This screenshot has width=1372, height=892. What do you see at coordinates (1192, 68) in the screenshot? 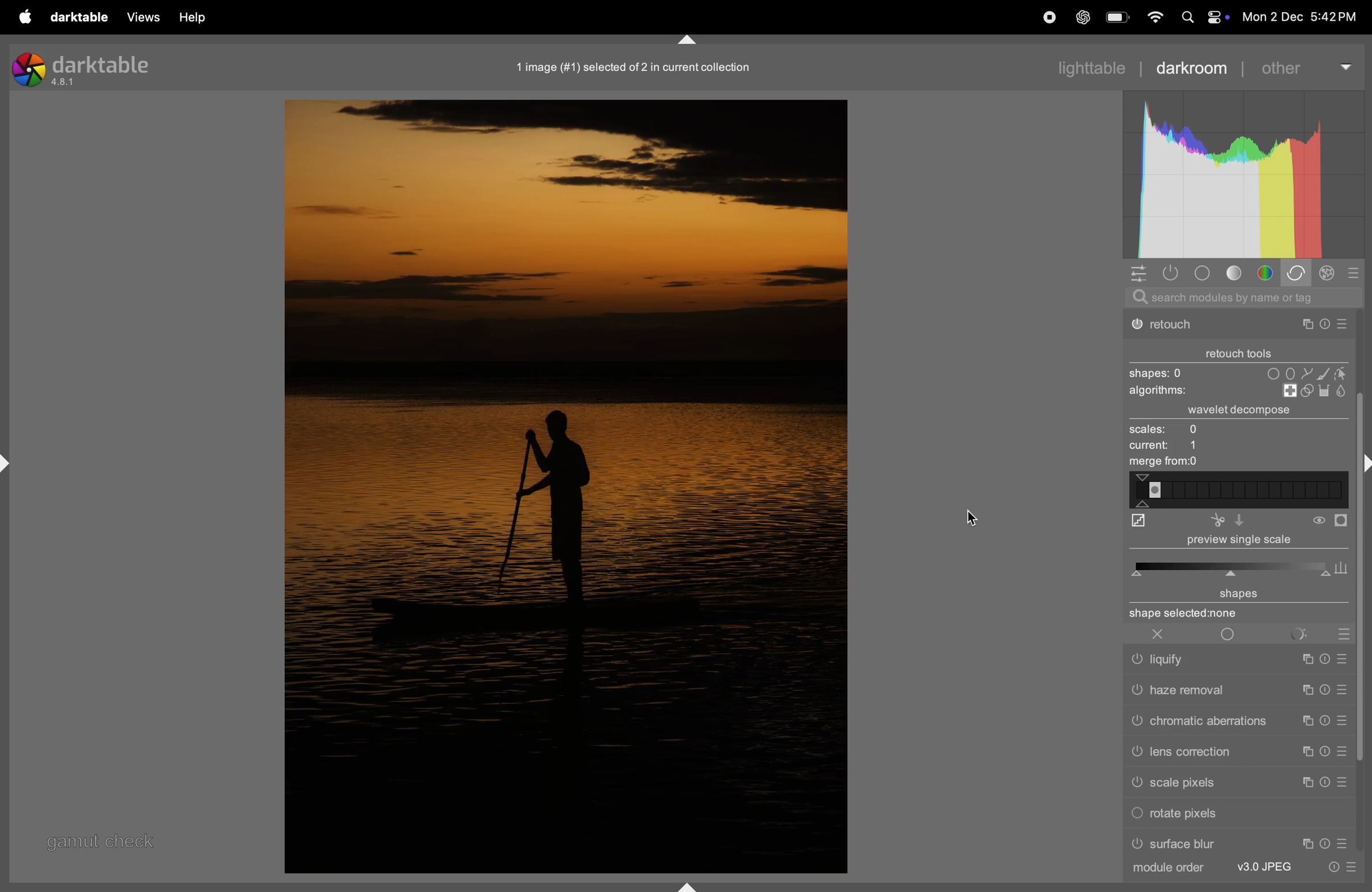
I see `darkroom` at bounding box center [1192, 68].